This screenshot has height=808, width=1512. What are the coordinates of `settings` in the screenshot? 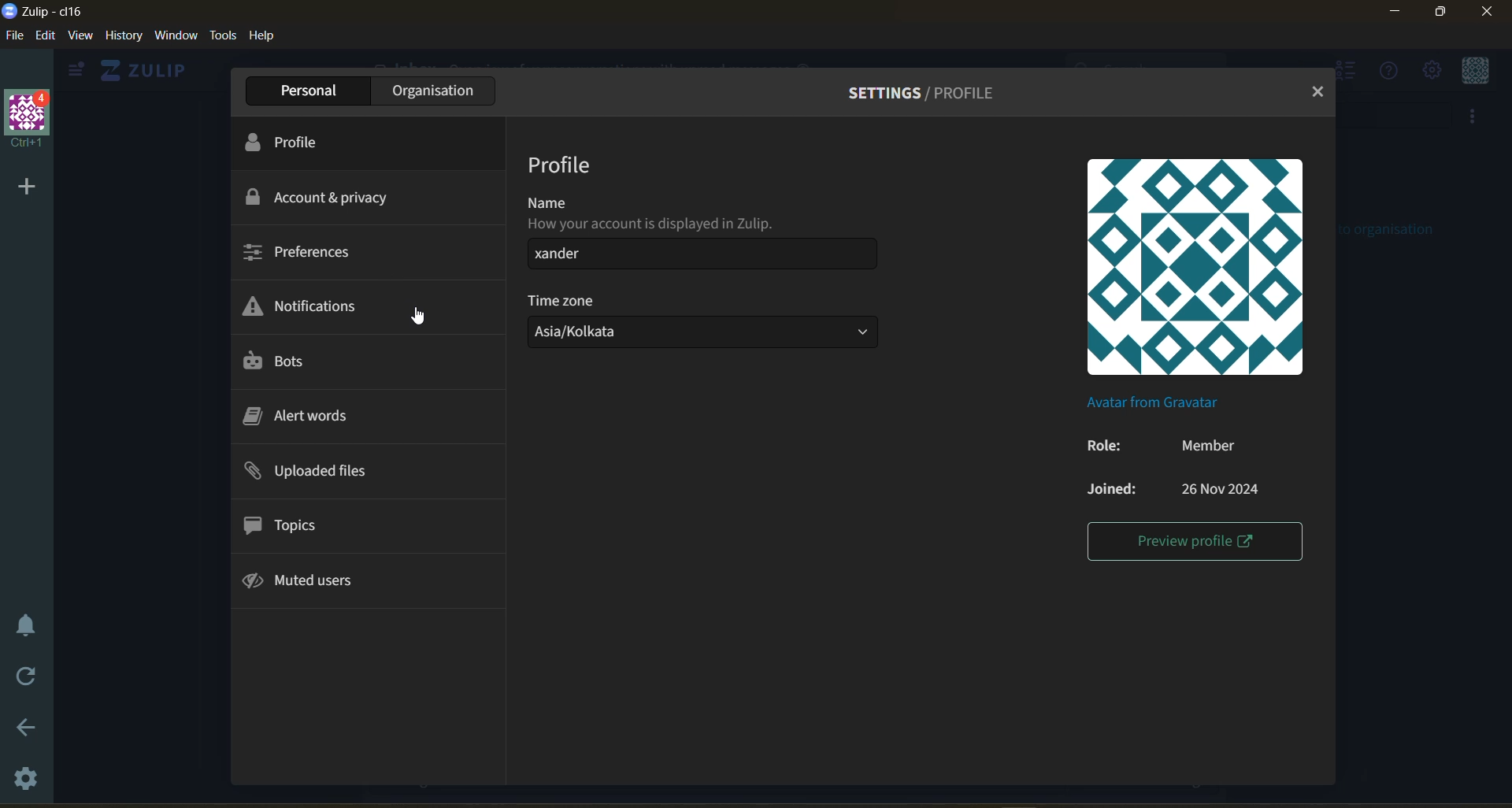 It's located at (27, 784).